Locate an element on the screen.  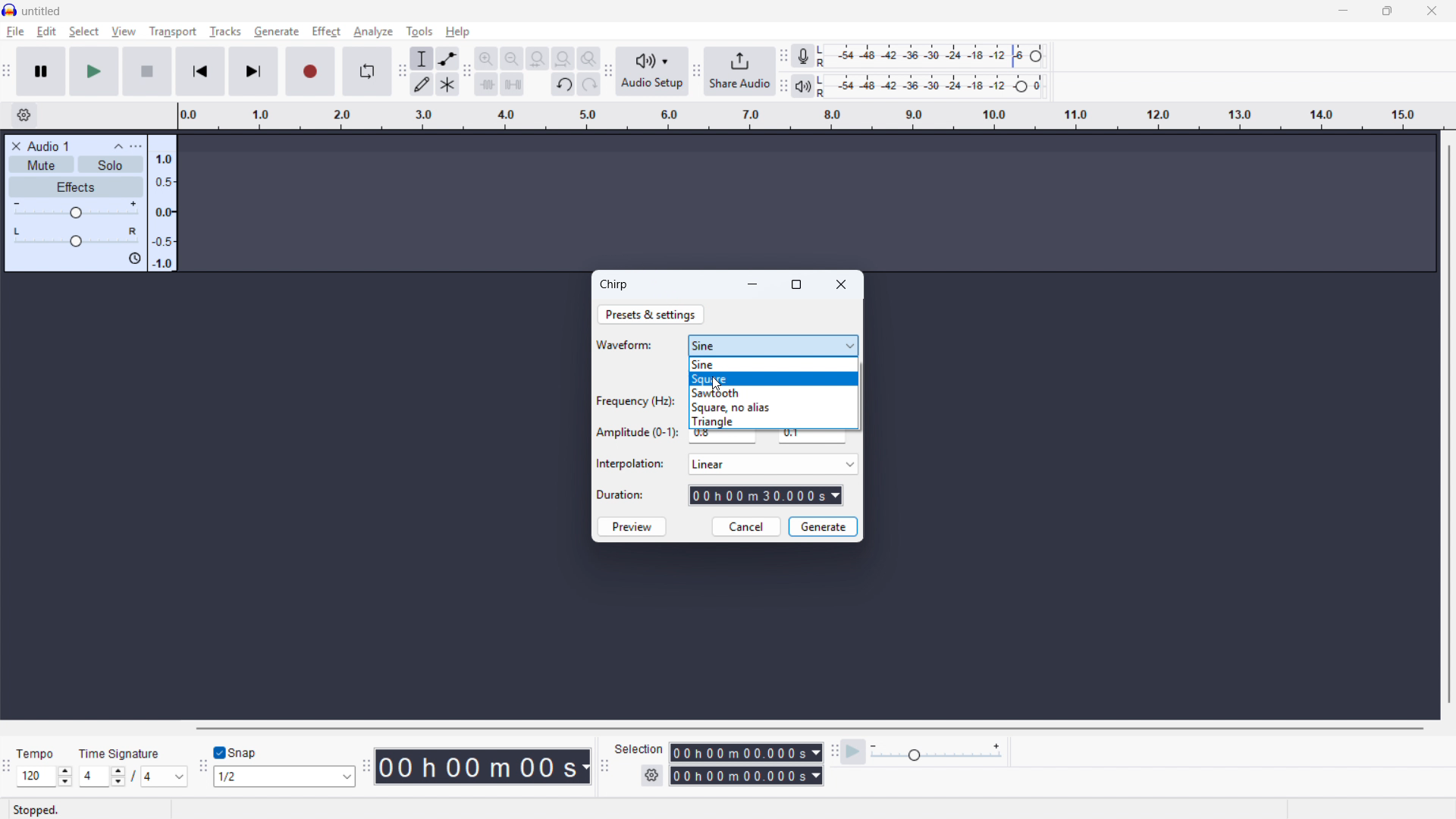
Silence audio selection  is located at coordinates (512, 83).